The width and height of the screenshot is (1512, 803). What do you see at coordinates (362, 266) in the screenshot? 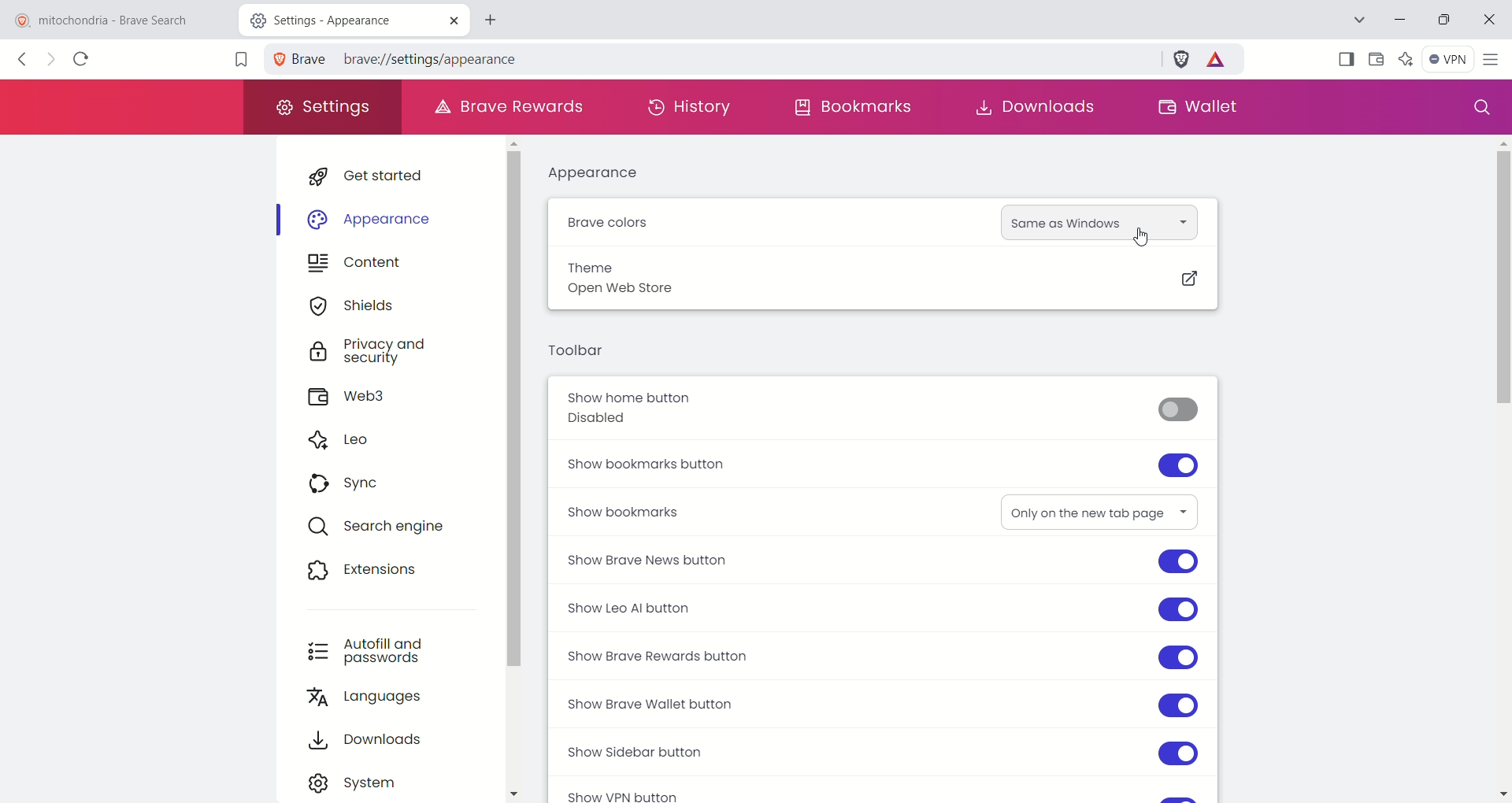
I see `content` at bounding box center [362, 266].